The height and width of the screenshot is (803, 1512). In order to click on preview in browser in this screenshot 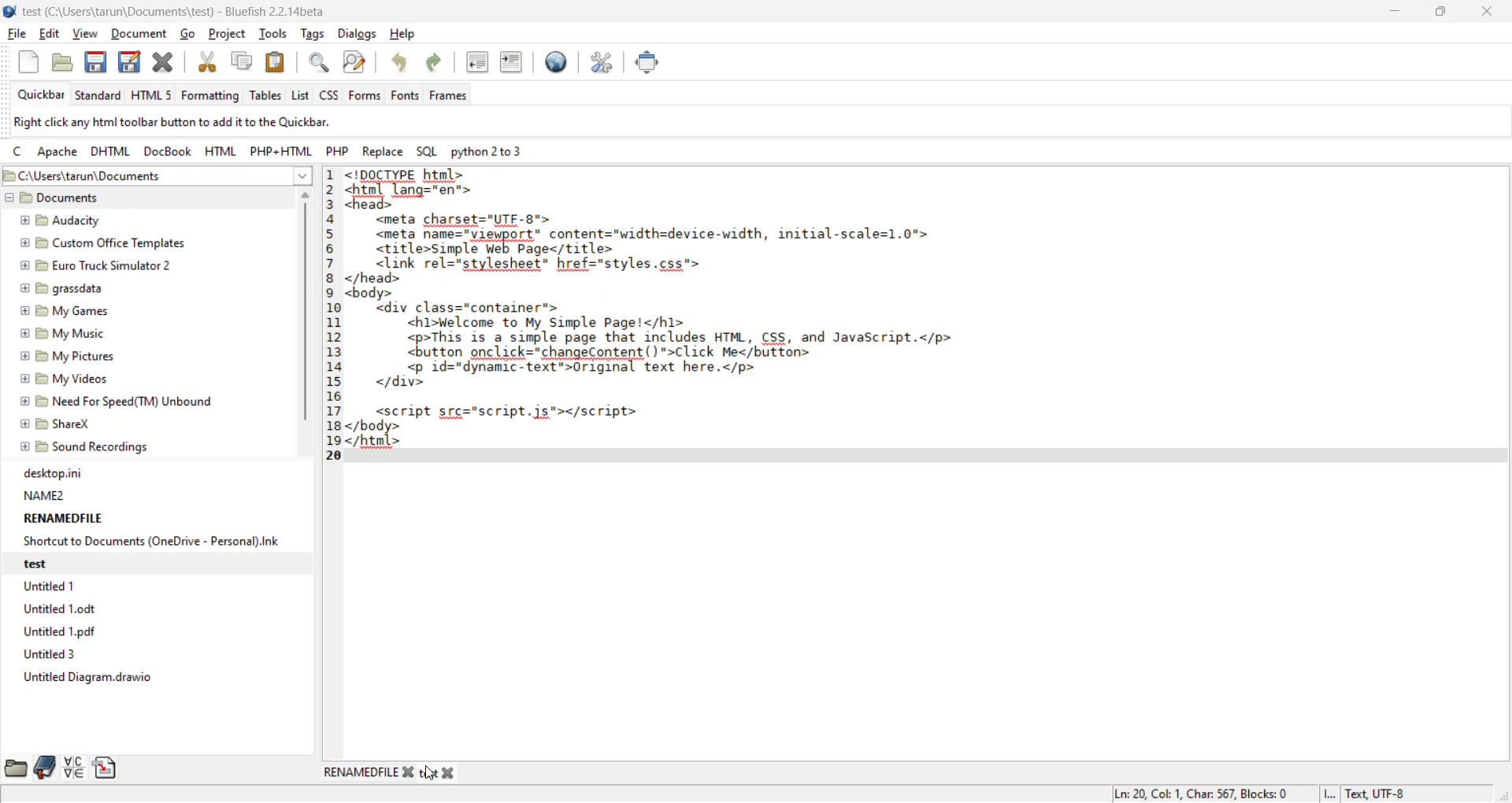, I will do `click(561, 65)`.